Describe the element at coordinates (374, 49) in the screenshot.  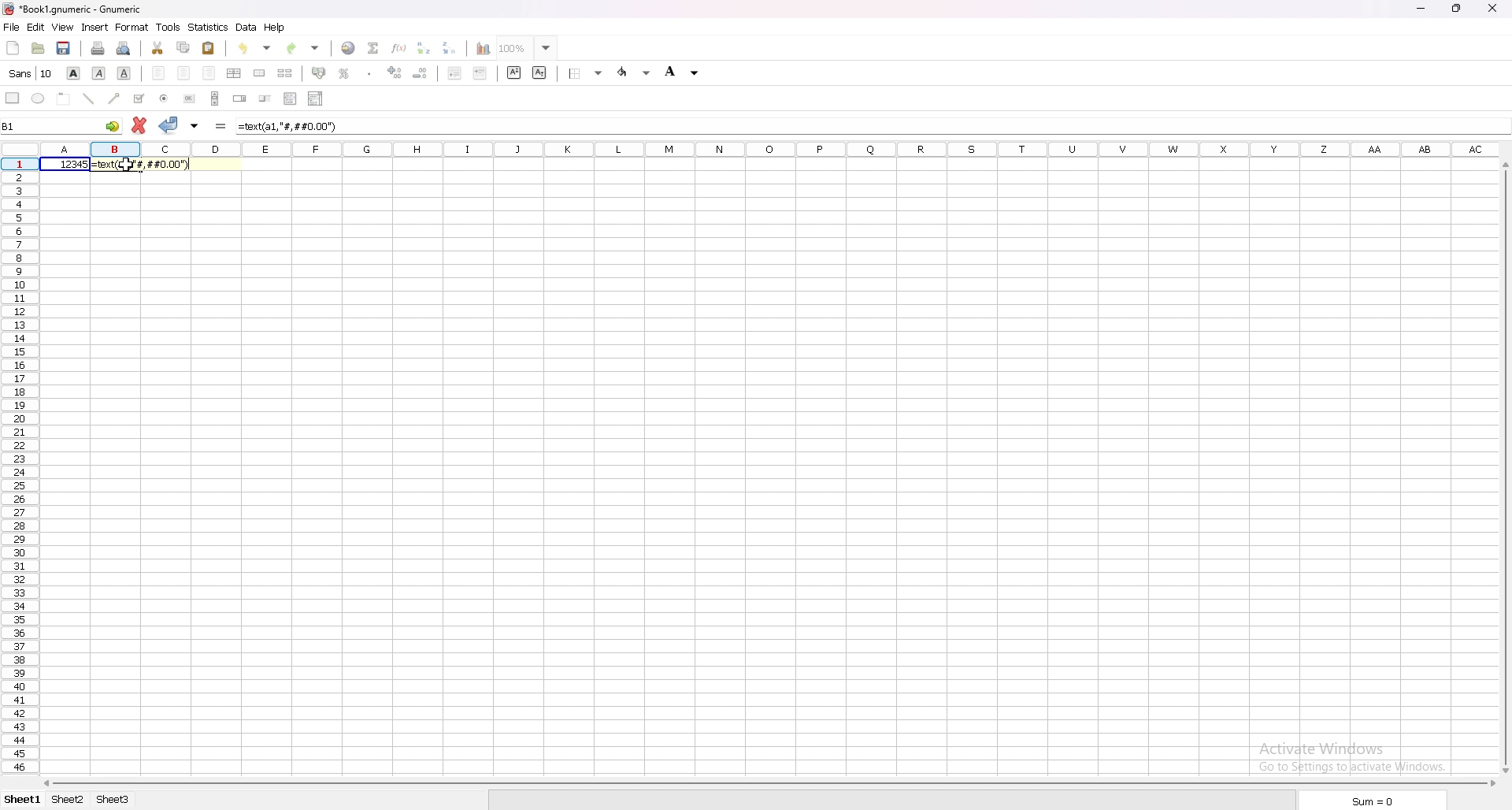
I see `summation` at that location.